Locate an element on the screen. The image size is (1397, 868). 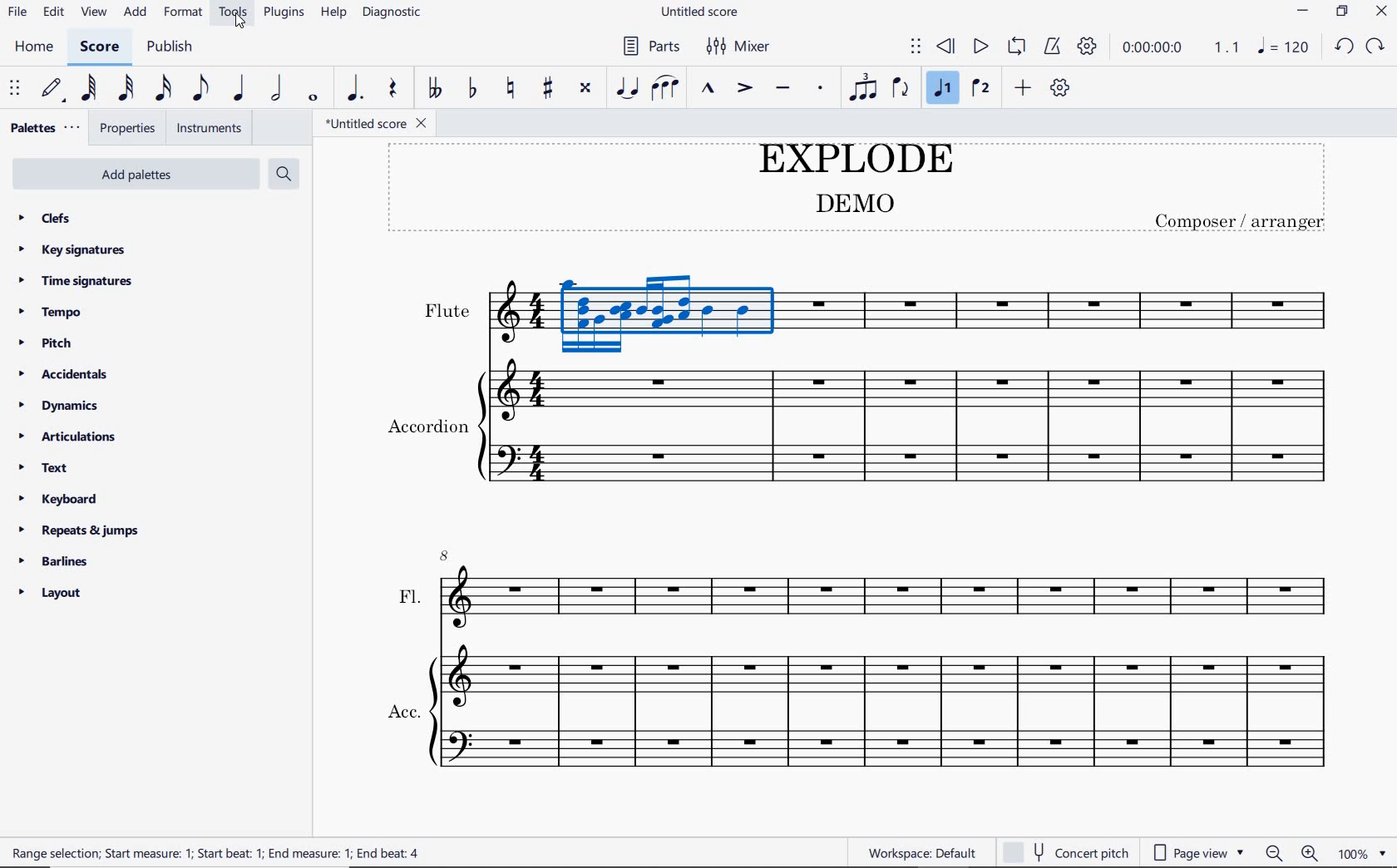
instruments is located at coordinates (209, 129).